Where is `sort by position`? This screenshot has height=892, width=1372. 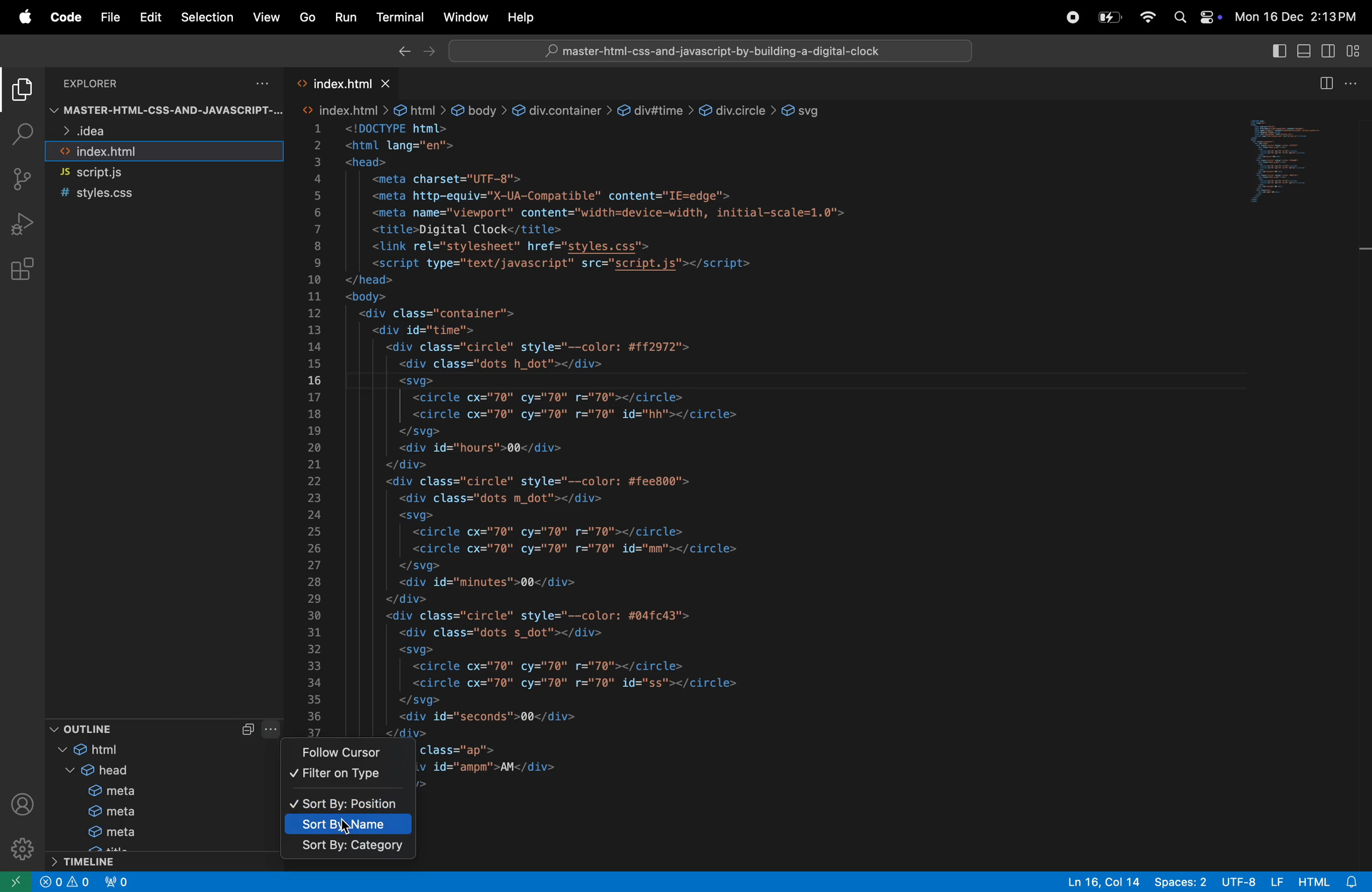 sort by position is located at coordinates (349, 803).